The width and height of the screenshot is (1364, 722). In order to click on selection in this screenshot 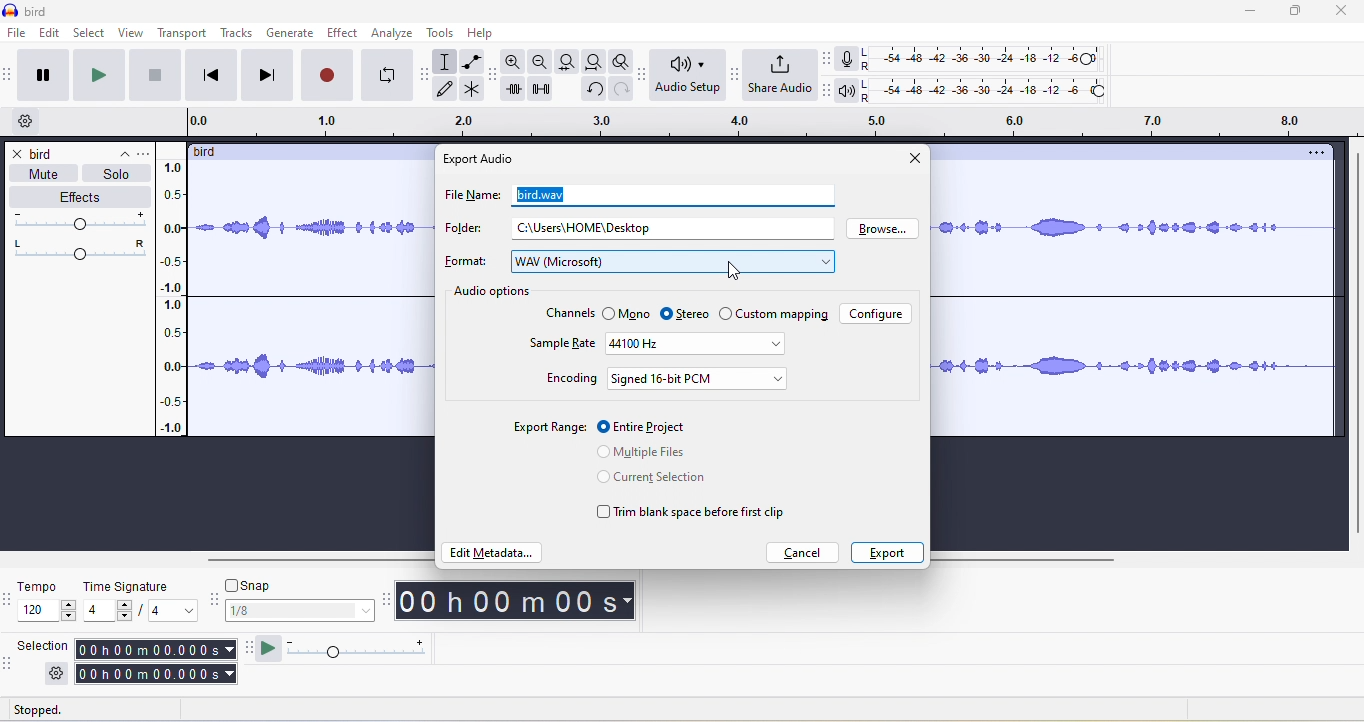, I will do `click(156, 662)`.